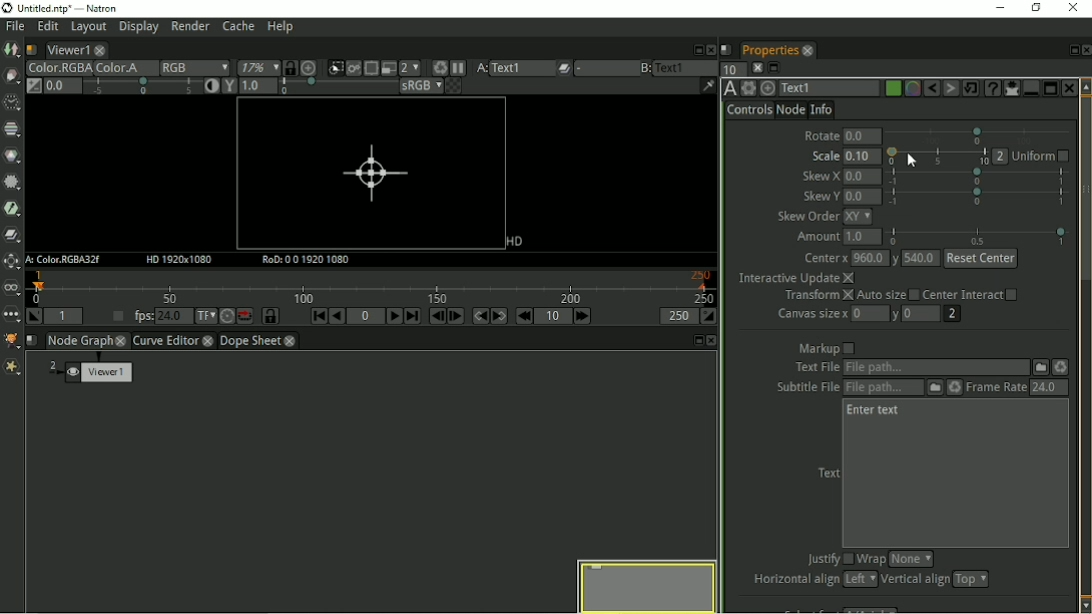 Image resolution: width=1092 pixels, height=614 pixels. Describe the element at coordinates (309, 85) in the screenshot. I see `Viewer gamma correction` at that location.